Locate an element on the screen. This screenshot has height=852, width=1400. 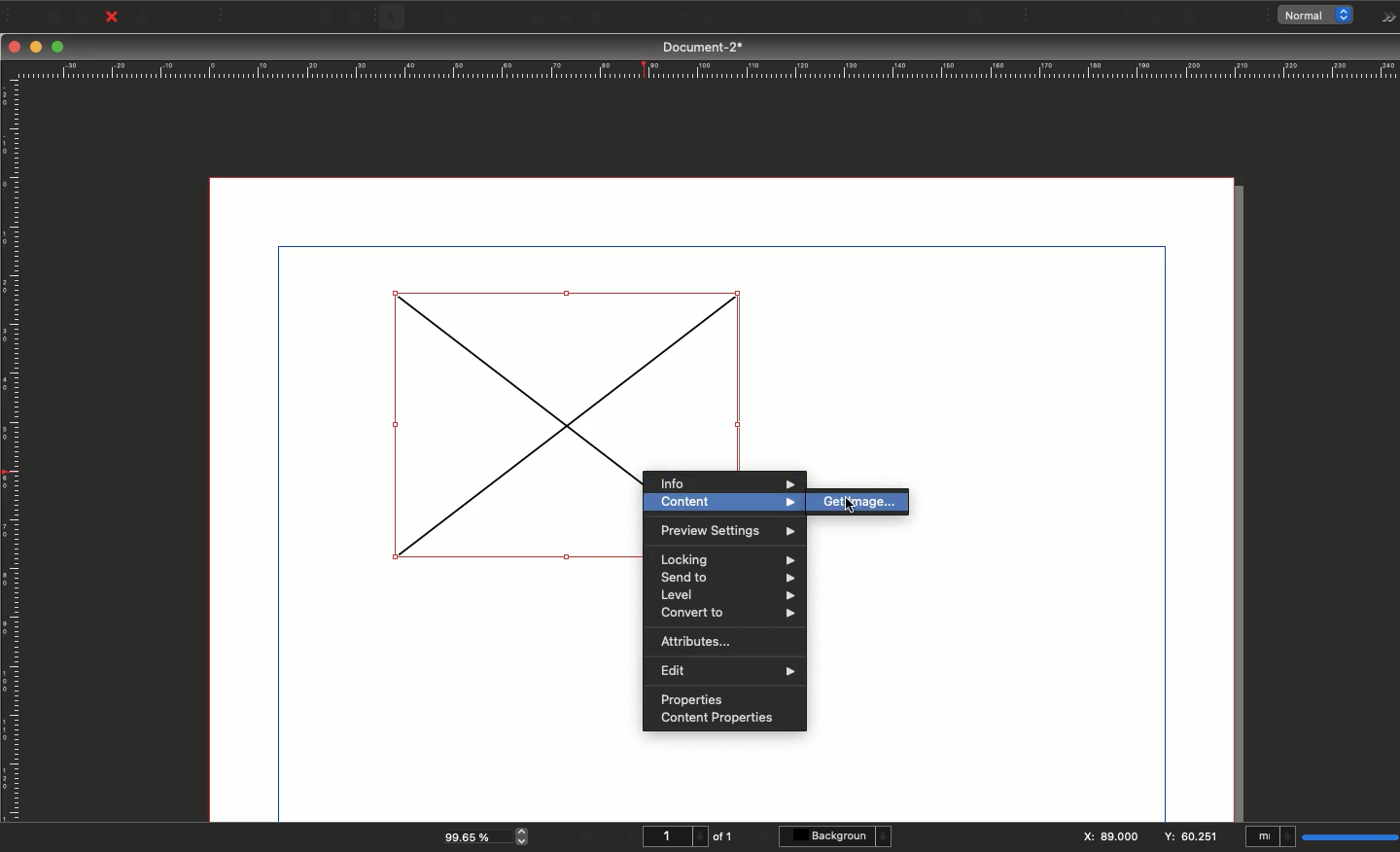
PDF list box is located at coordinates (1189, 18).